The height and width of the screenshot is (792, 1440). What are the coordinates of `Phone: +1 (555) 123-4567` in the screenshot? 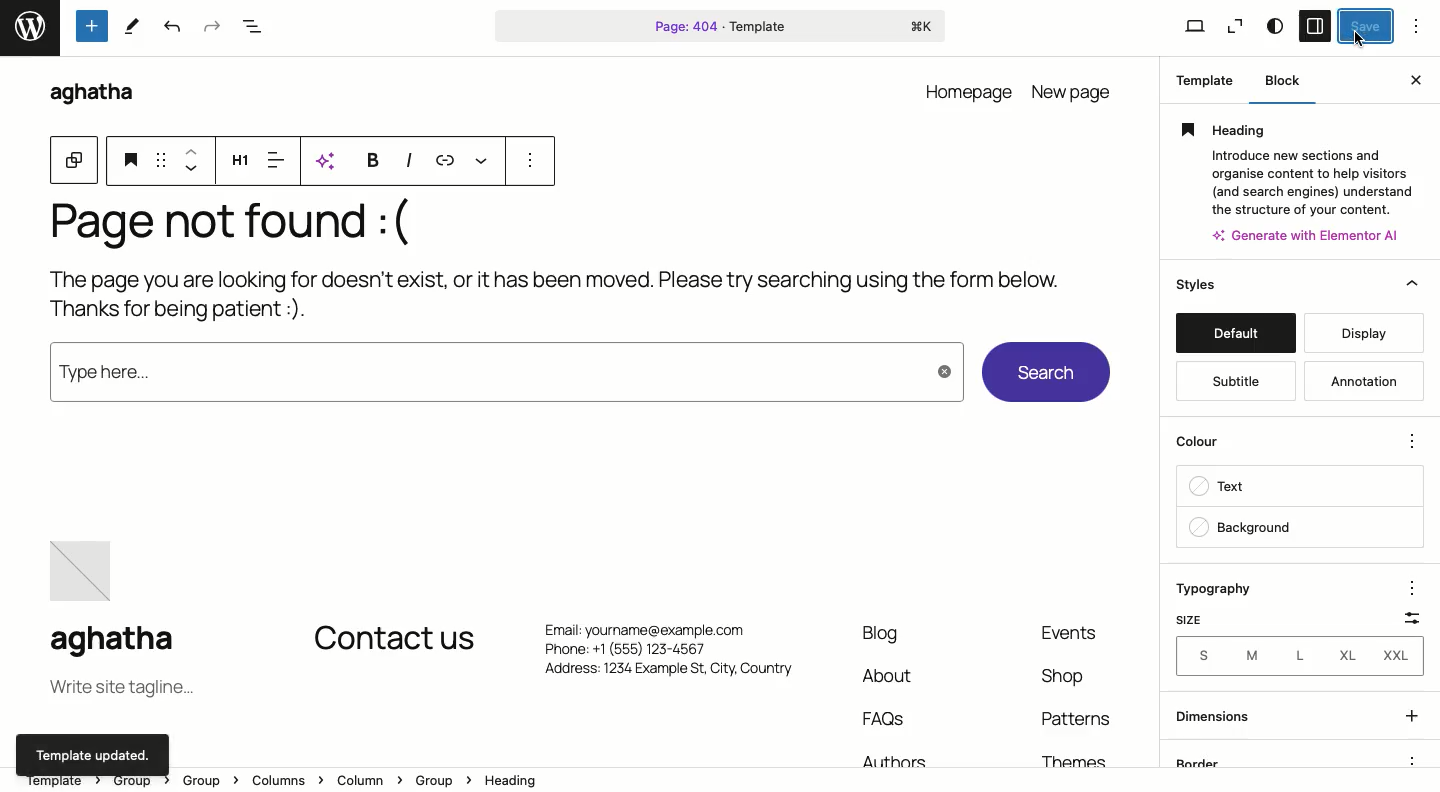 It's located at (665, 650).